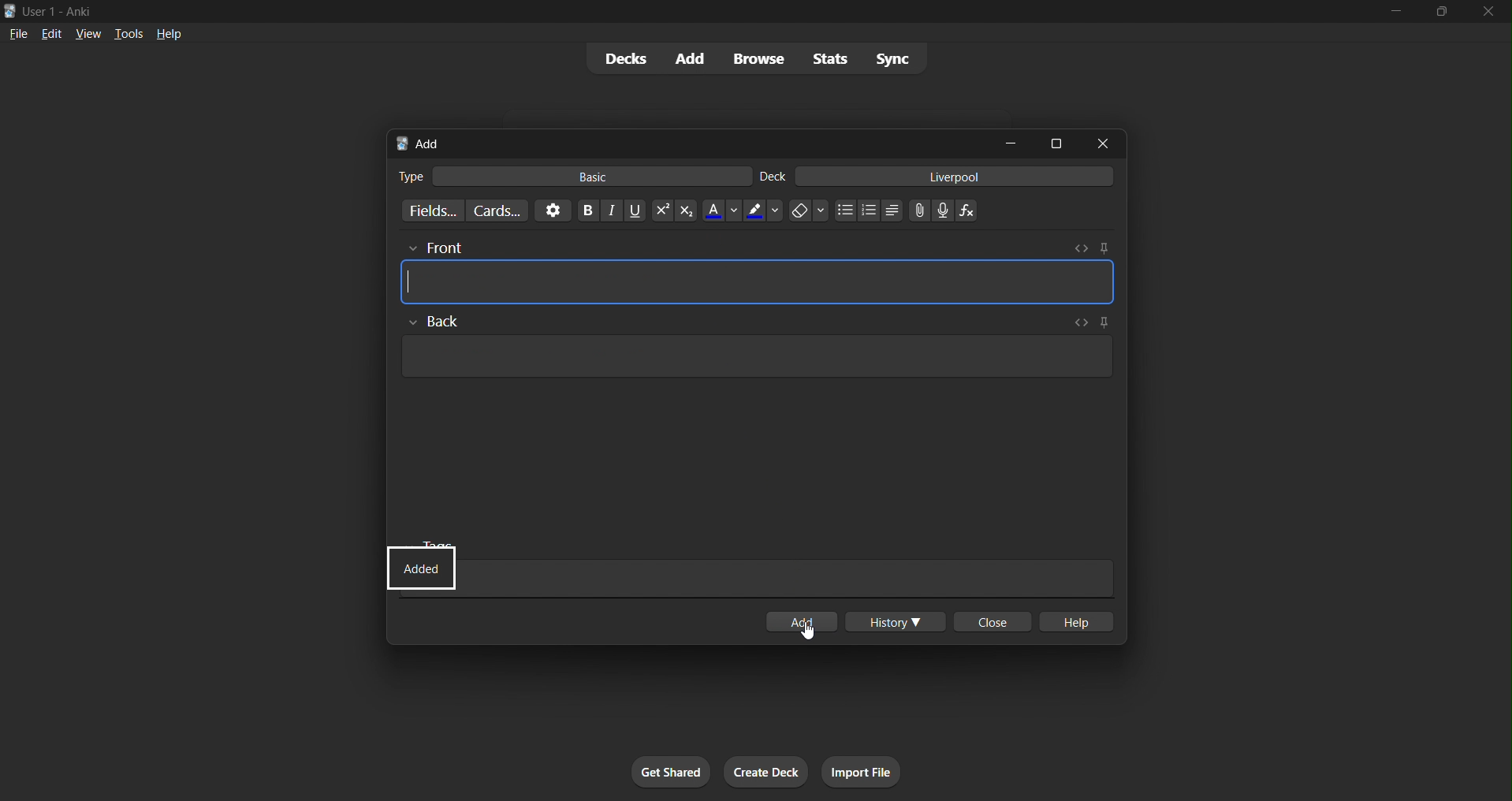 The height and width of the screenshot is (801, 1512). What do you see at coordinates (916, 210) in the screenshot?
I see `insert photos` at bounding box center [916, 210].